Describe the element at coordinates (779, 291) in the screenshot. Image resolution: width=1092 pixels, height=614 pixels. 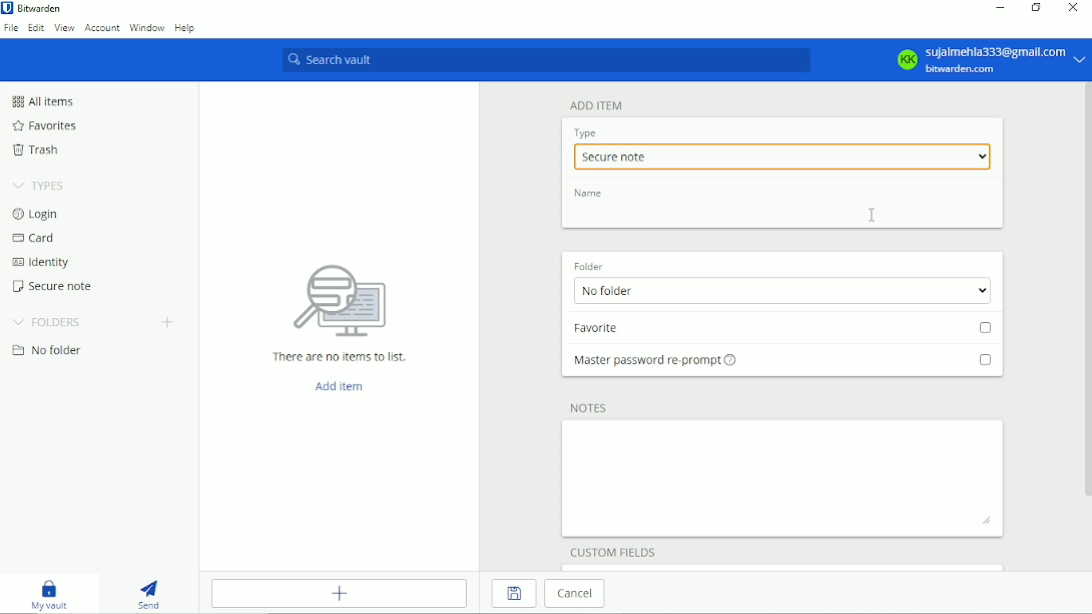
I see `No folder` at that location.